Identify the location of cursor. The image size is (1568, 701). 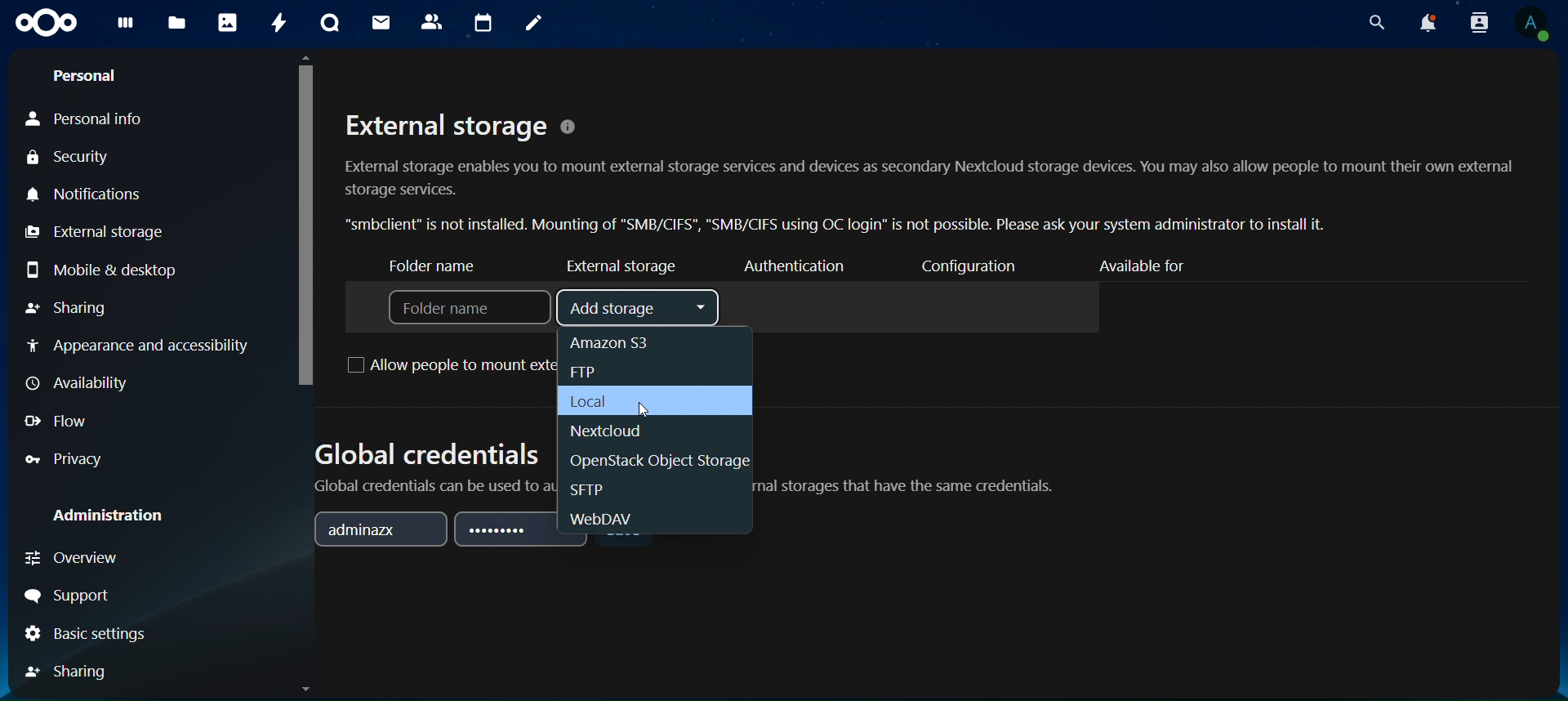
(305, 221).